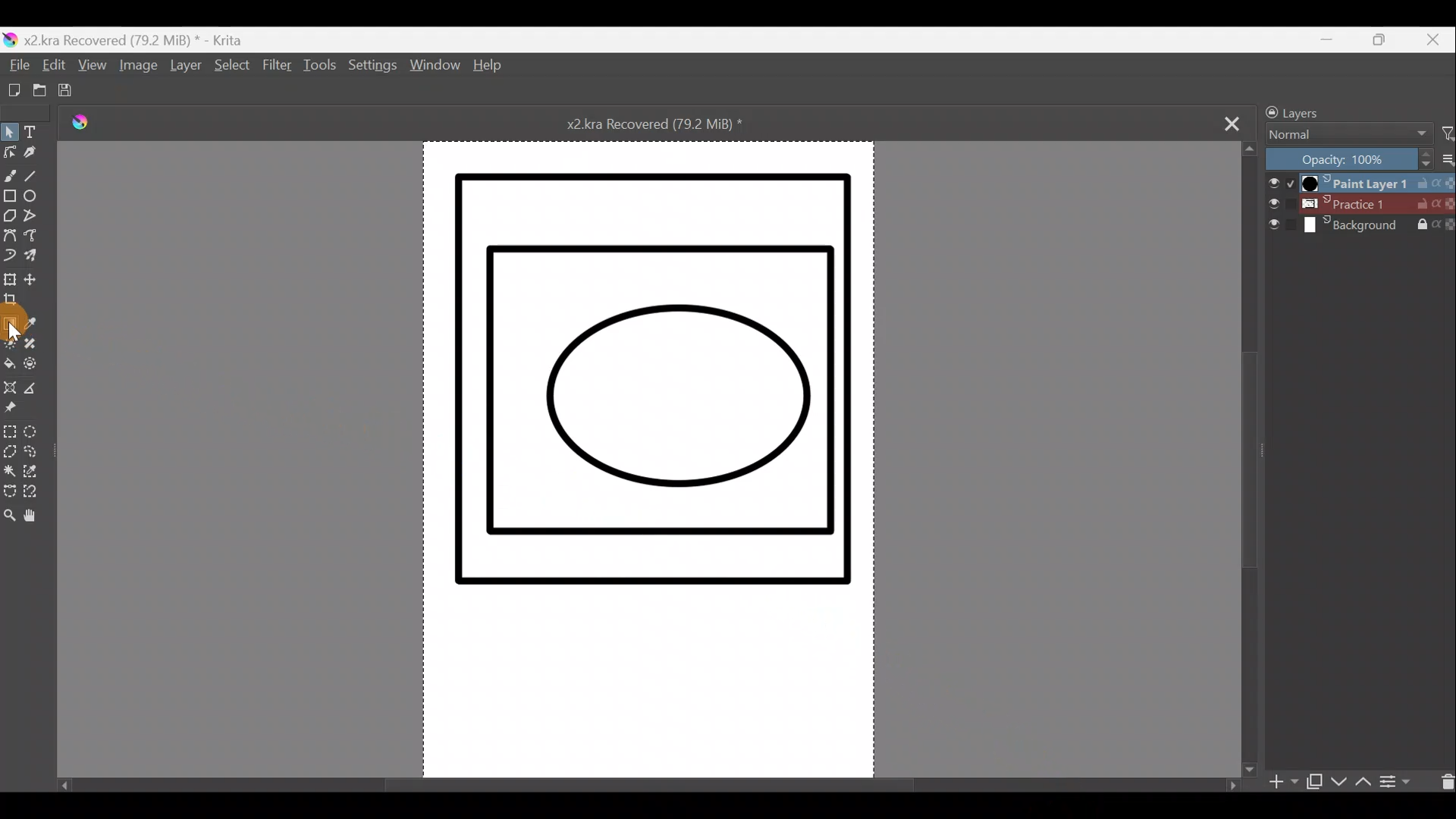  Describe the element at coordinates (9, 154) in the screenshot. I see `Edit shapes tool` at that location.